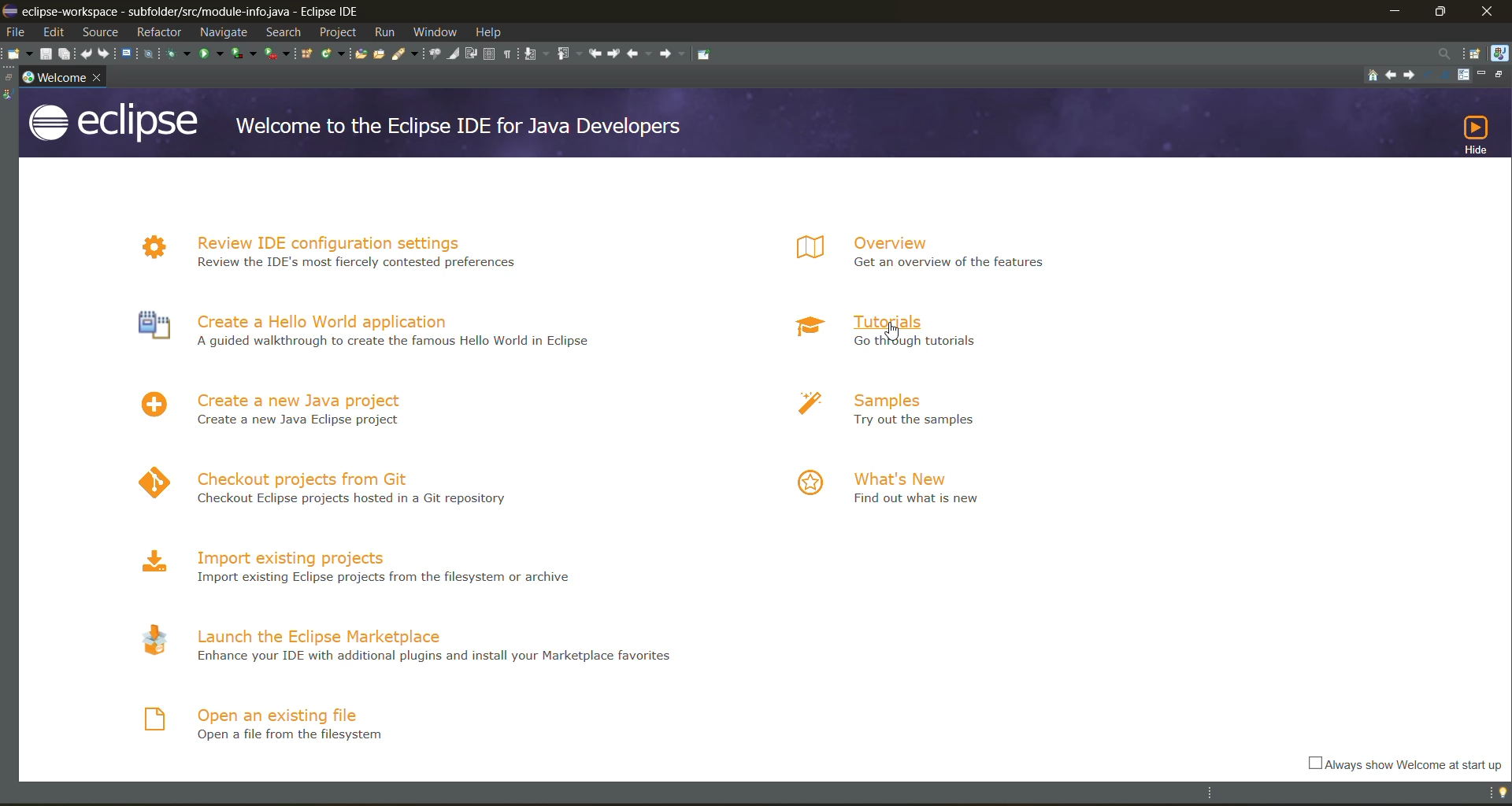 This screenshot has height=806, width=1512. I want to click on tip of the day, so click(1502, 794).